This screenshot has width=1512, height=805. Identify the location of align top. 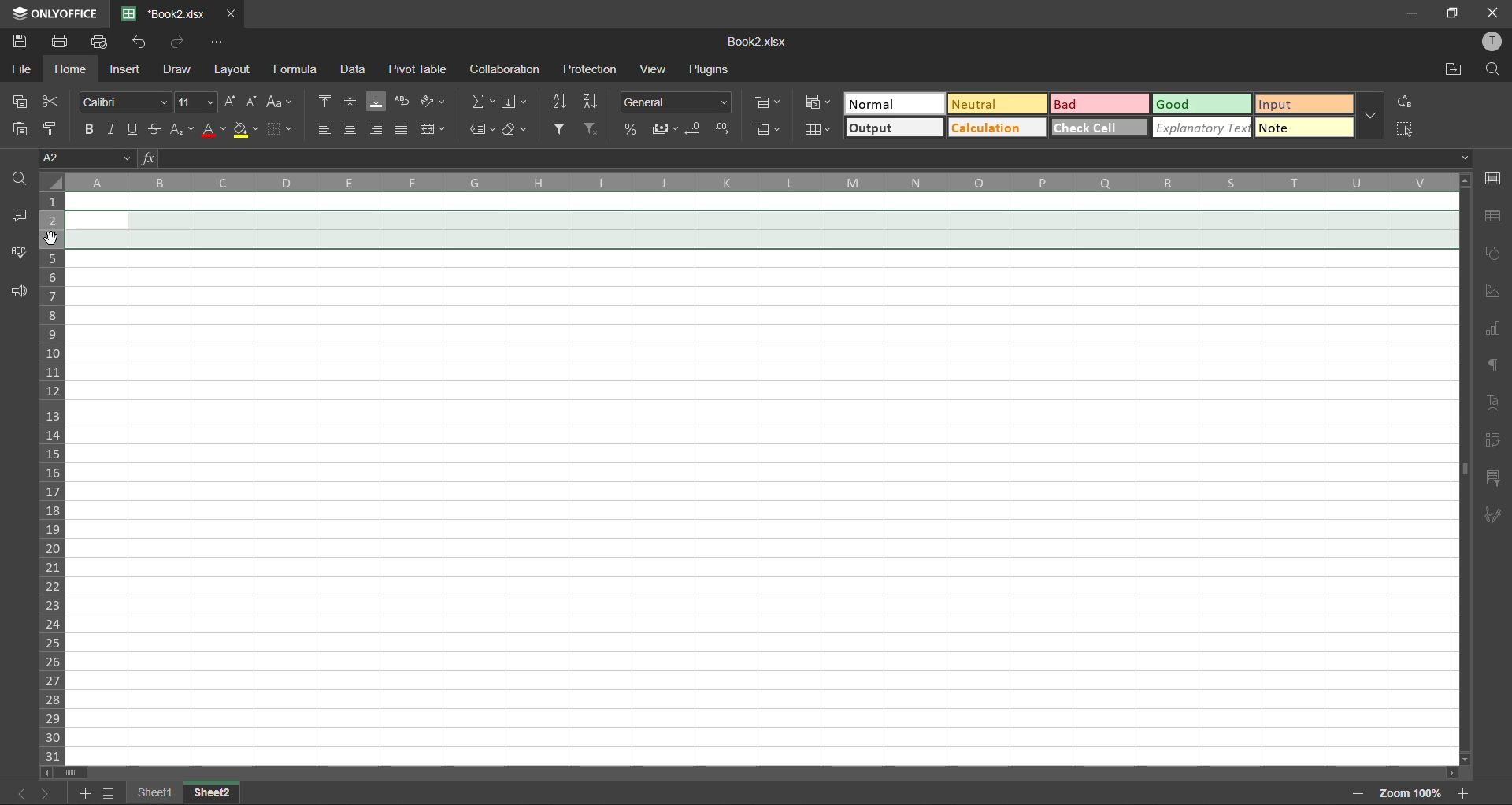
(328, 101).